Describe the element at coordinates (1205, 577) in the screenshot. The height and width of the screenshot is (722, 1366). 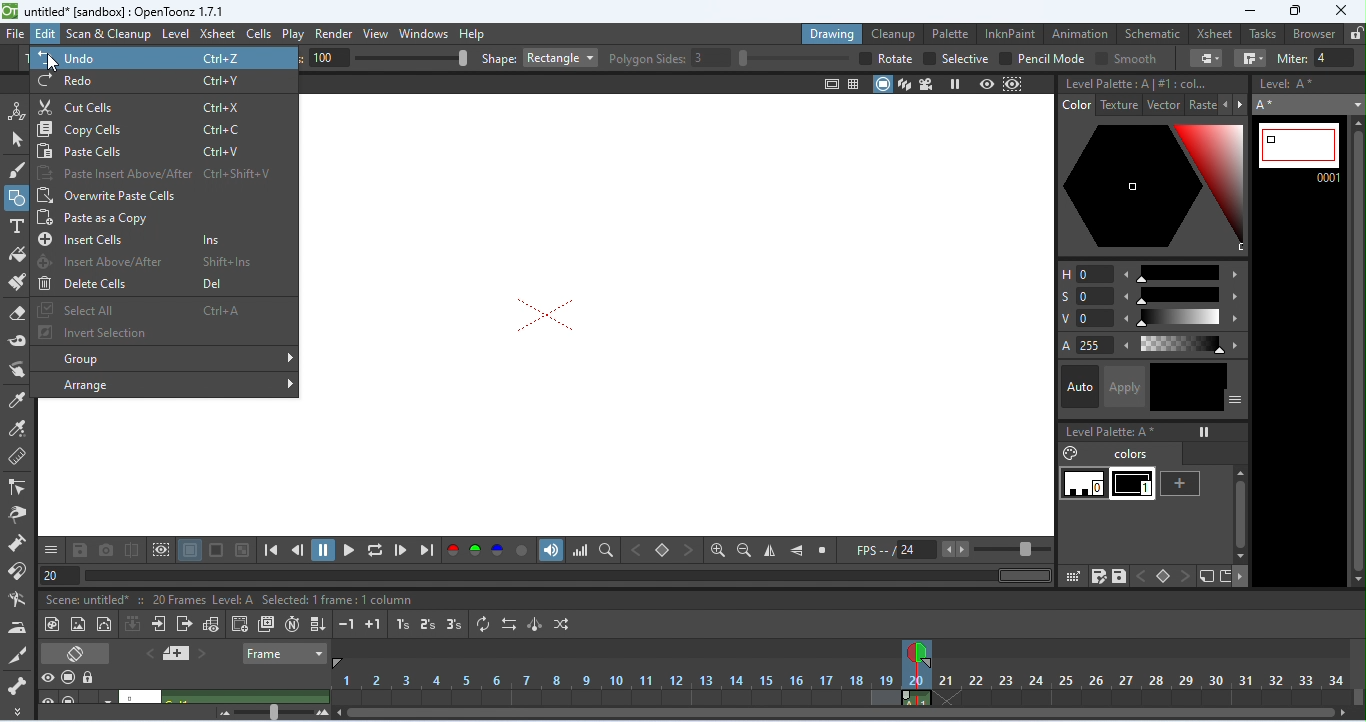
I see `new style` at that location.